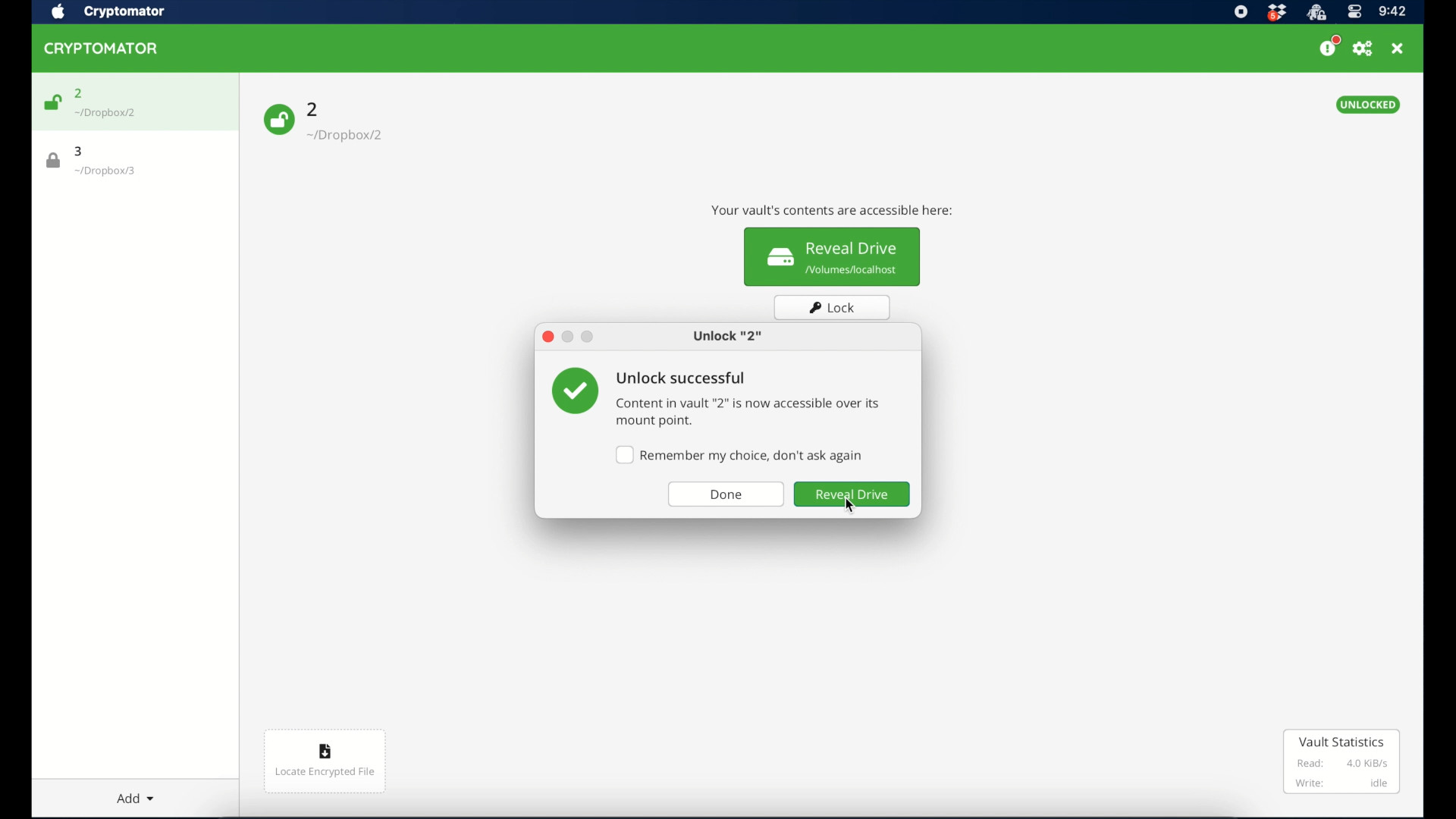  I want to click on reveal drive, so click(833, 257).